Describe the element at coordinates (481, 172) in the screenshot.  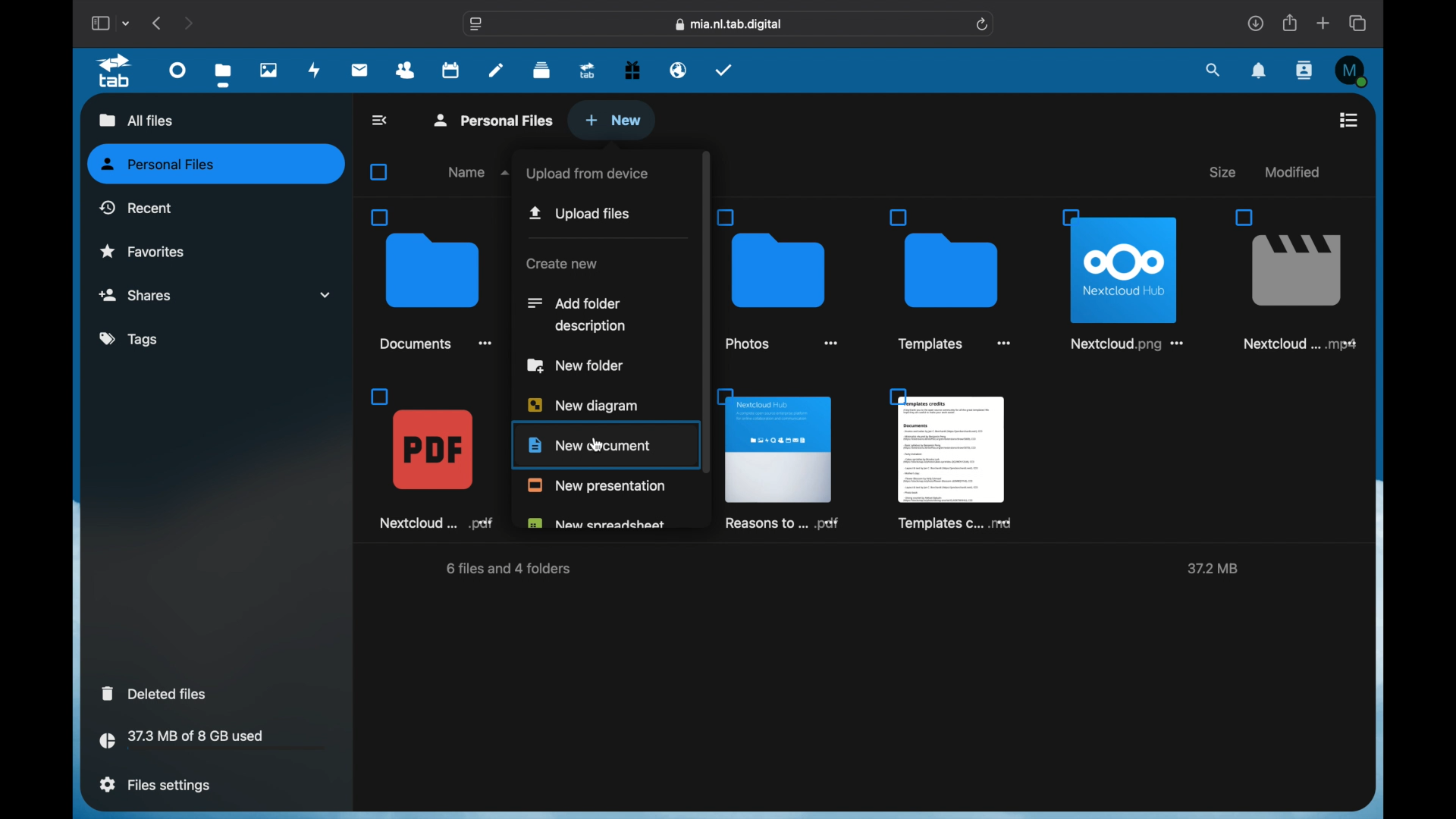
I see `name` at that location.